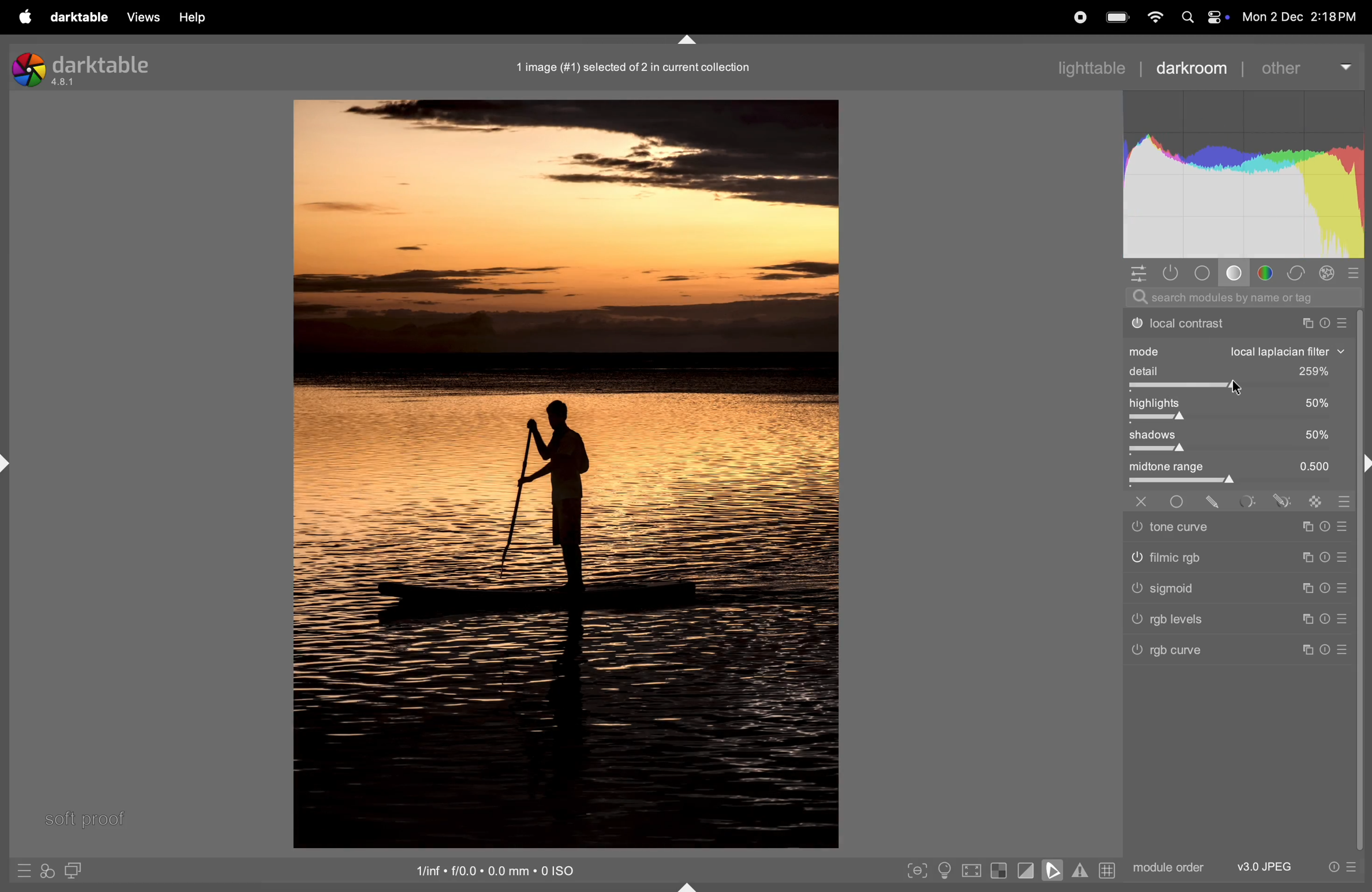  I want to click on mode, so click(1238, 350).